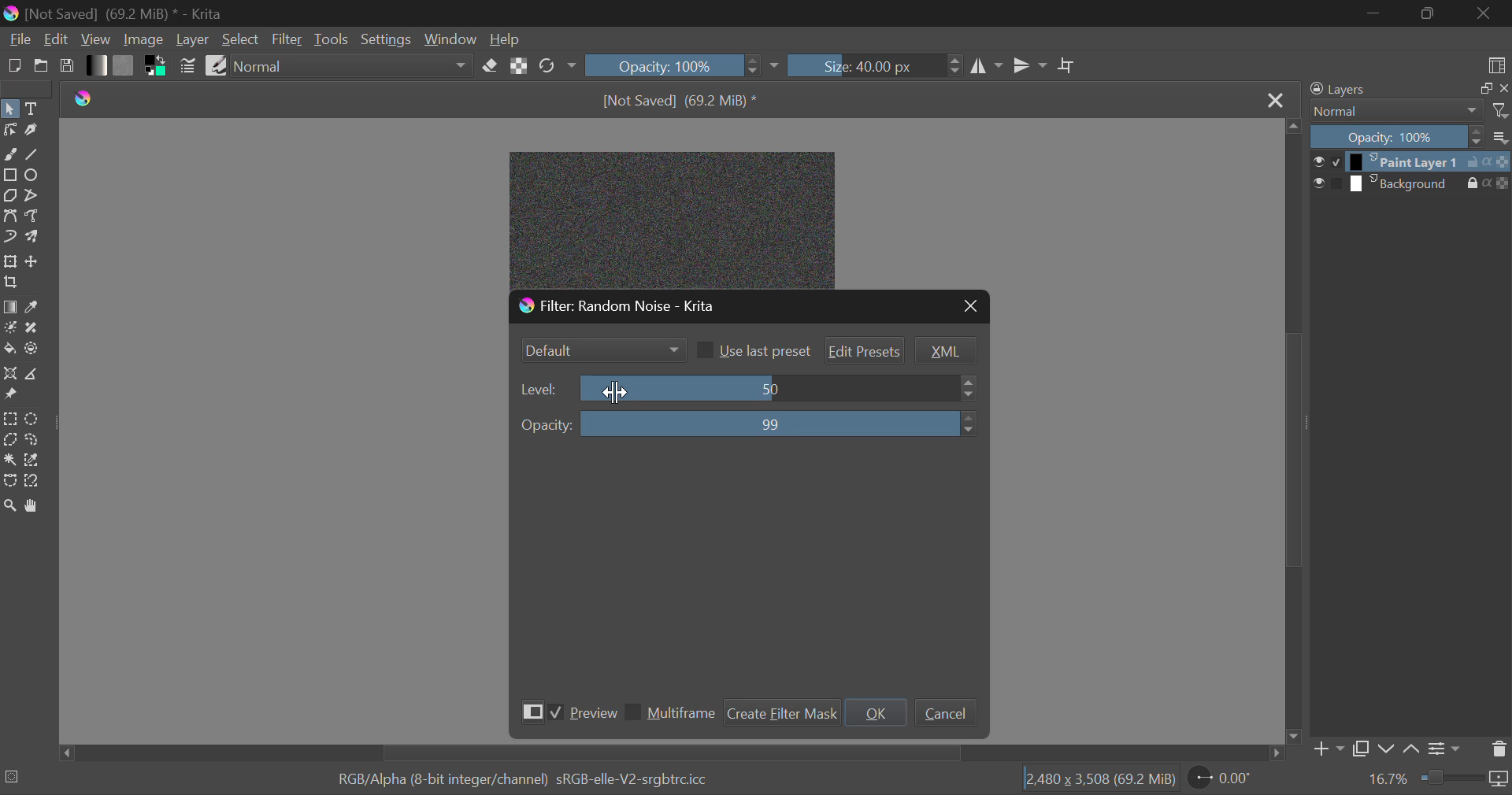 Image resolution: width=1512 pixels, height=795 pixels. I want to click on Brush Size, so click(875, 65).